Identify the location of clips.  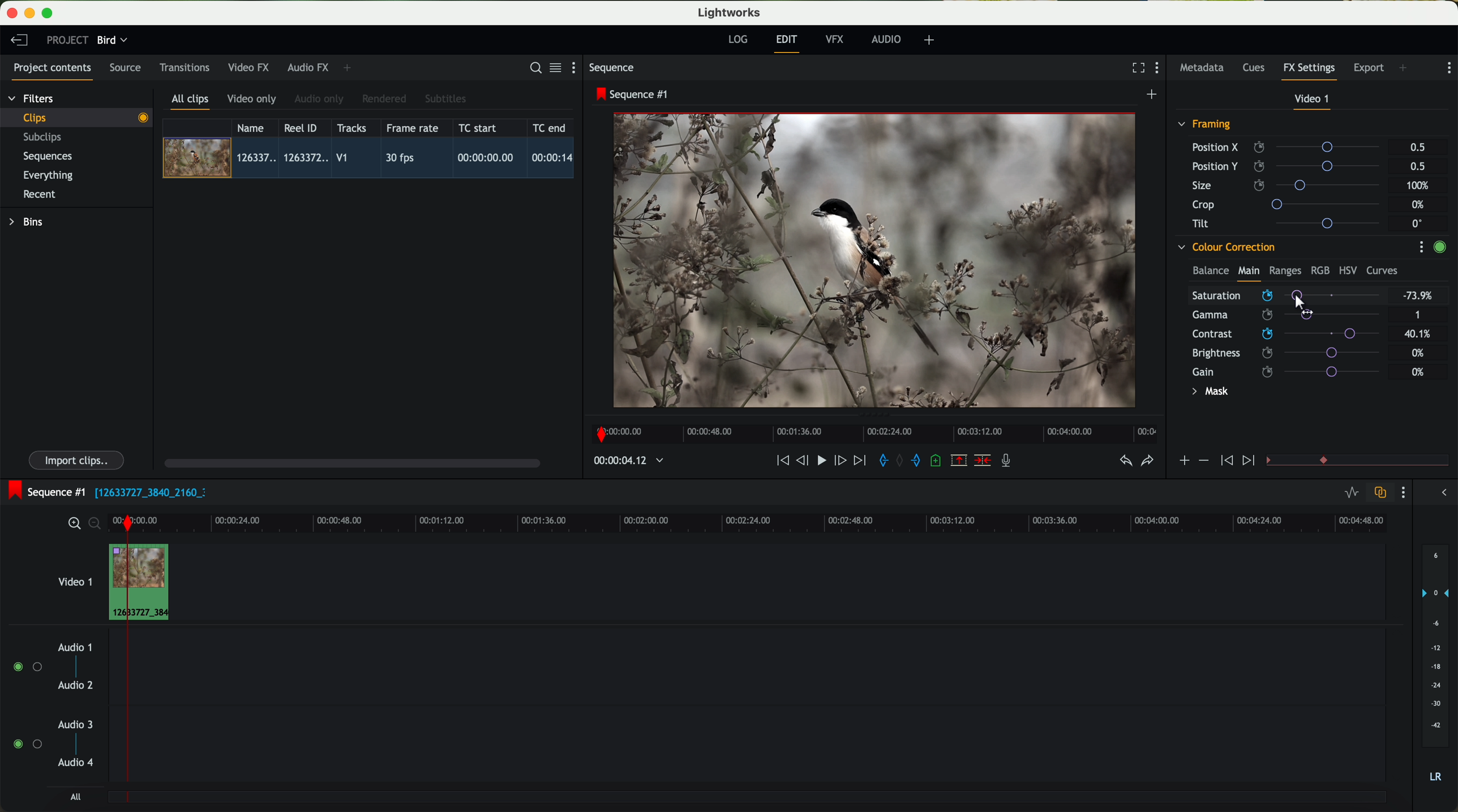
(77, 117).